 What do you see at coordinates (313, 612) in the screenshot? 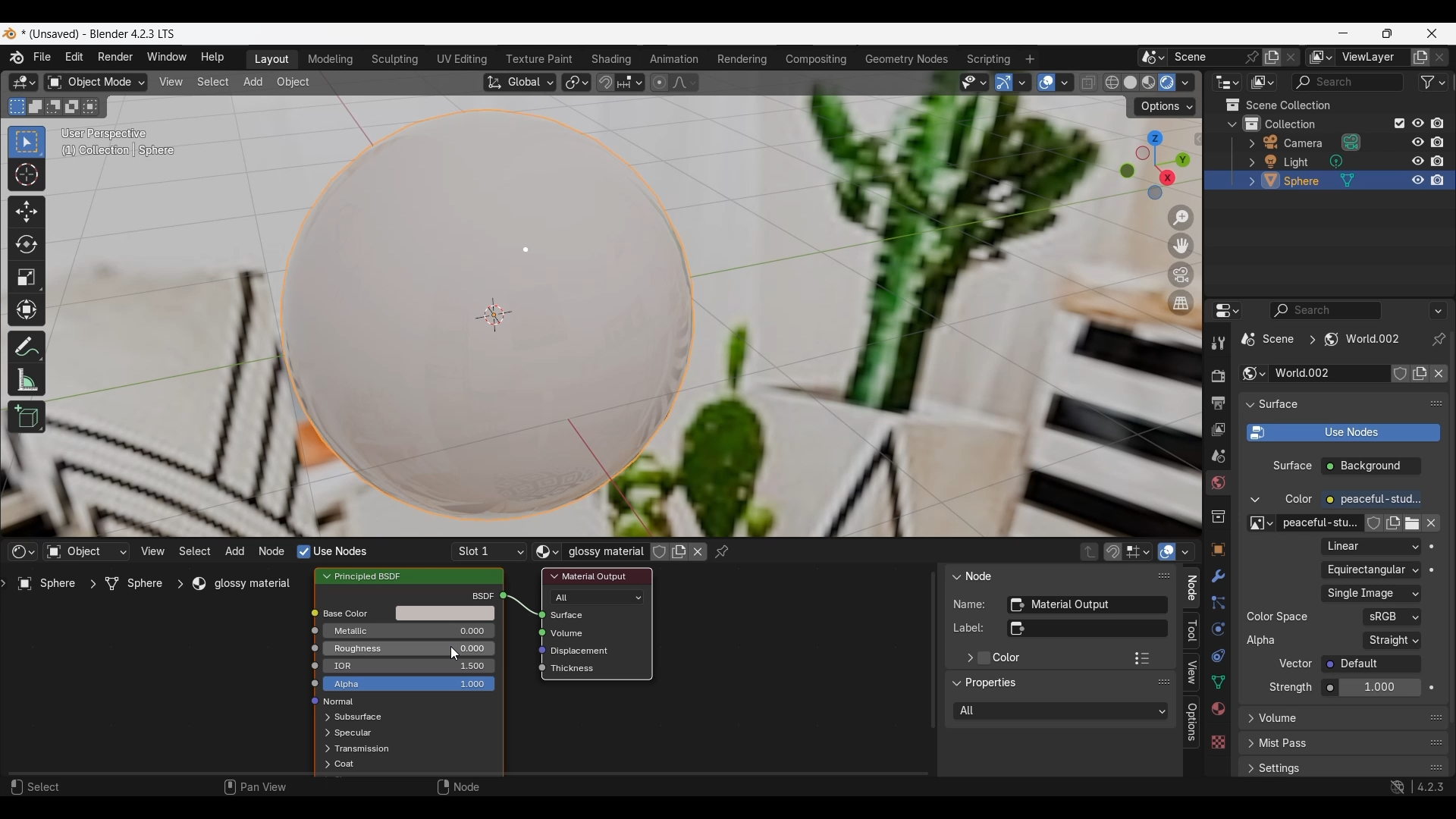
I see `icon` at bounding box center [313, 612].